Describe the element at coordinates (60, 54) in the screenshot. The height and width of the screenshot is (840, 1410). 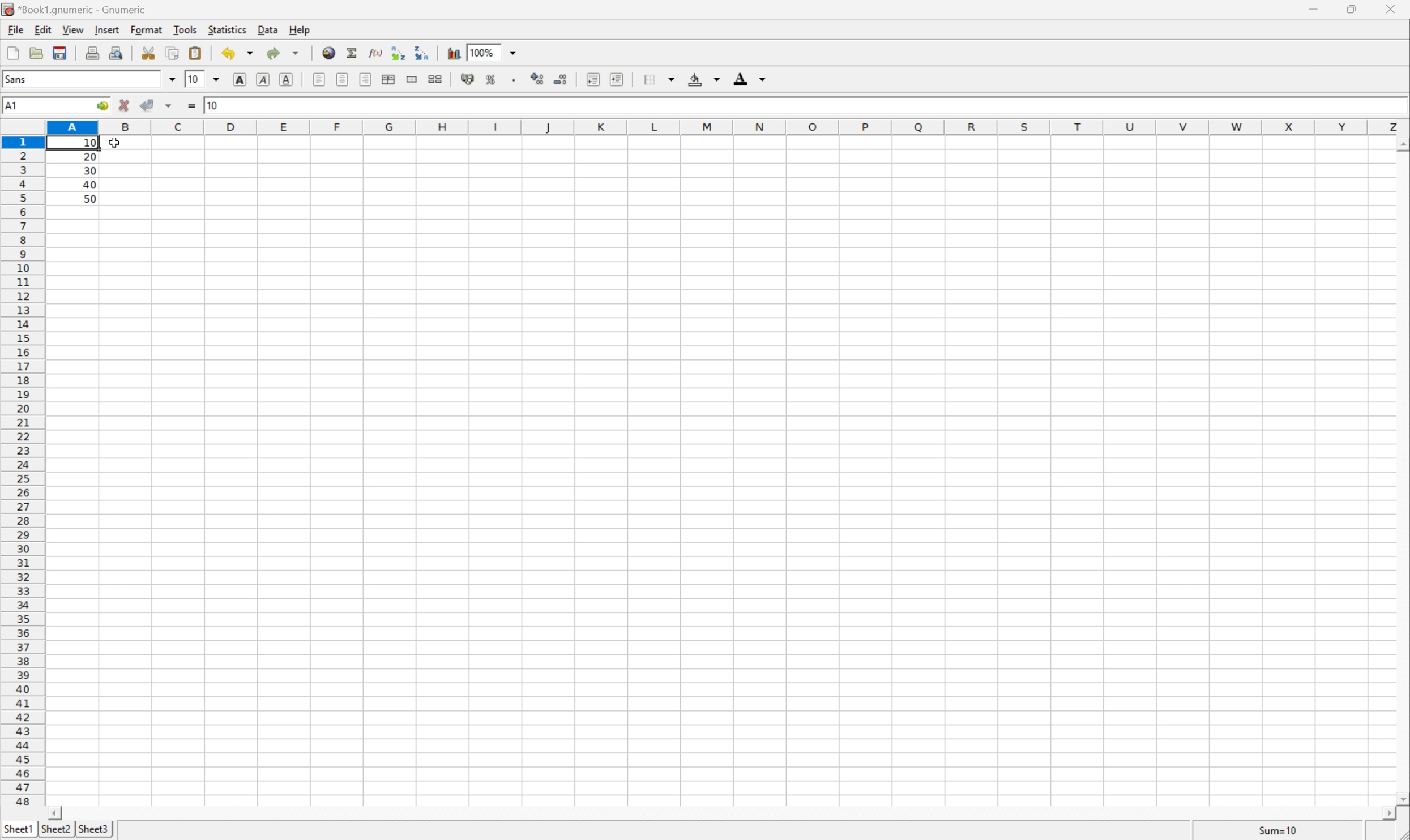
I see `Save current workbook` at that location.